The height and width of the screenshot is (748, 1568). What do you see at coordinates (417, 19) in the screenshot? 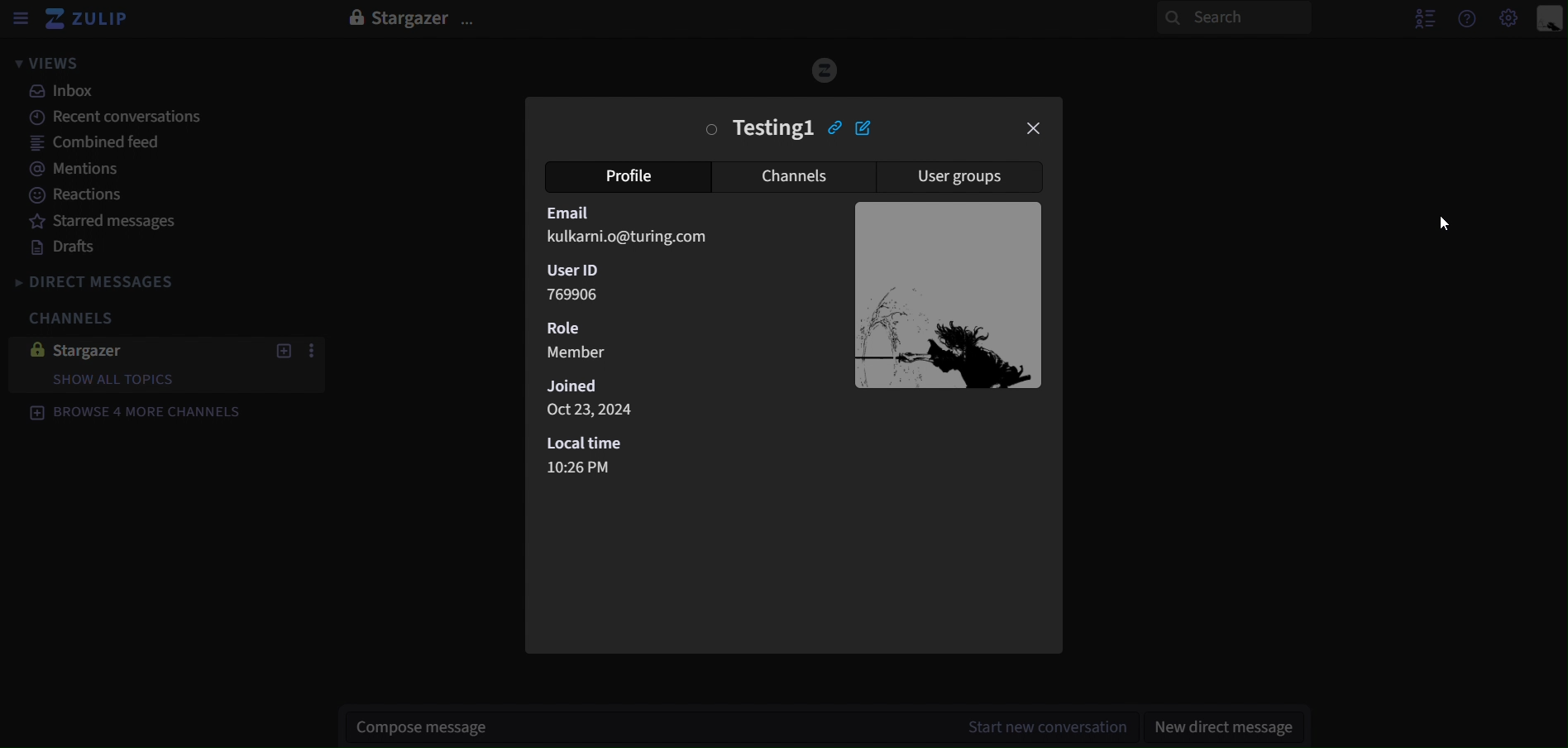
I see `stargazer` at bounding box center [417, 19].